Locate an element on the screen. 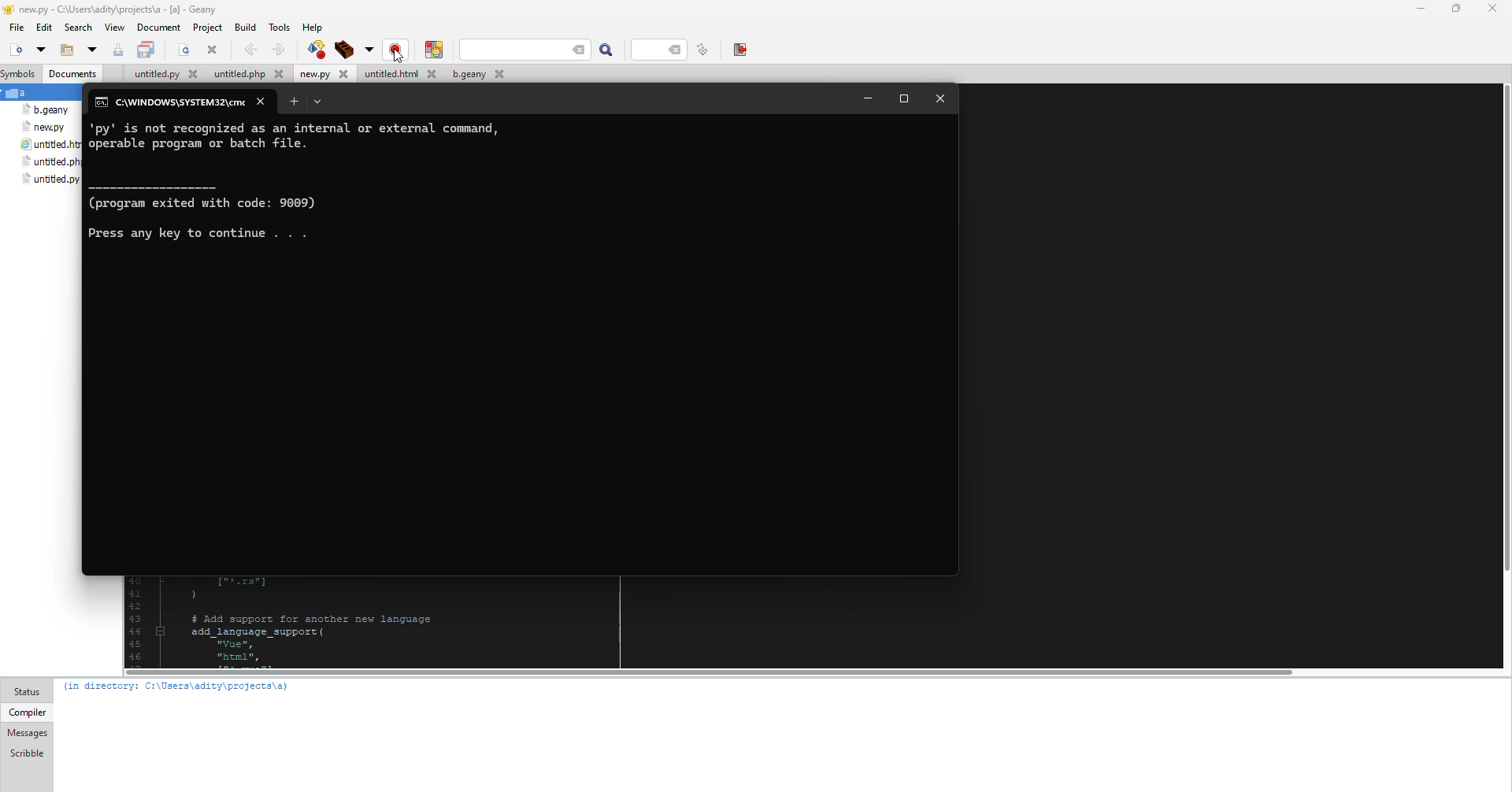 This screenshot has height=792, width=1512. cmd is located at coordinates (167, 103).